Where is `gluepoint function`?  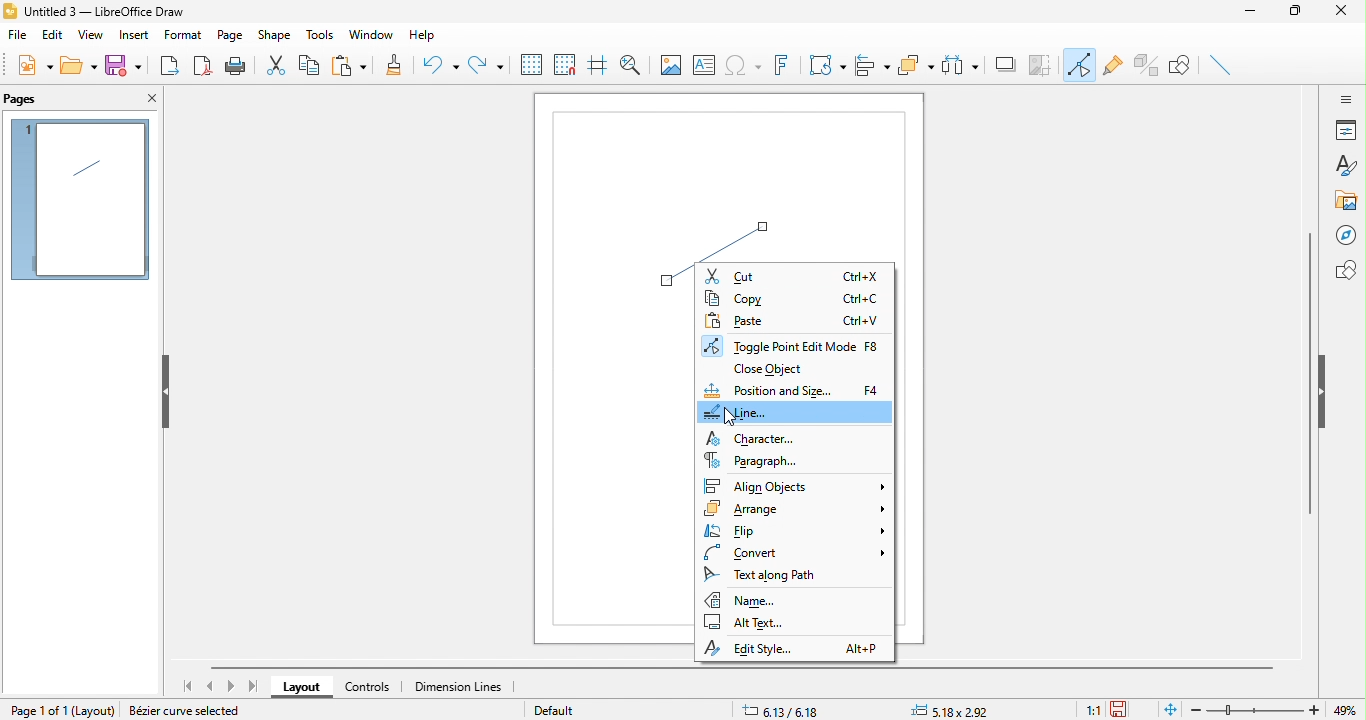 gluepoint function is located at coordinates (1114, 67).